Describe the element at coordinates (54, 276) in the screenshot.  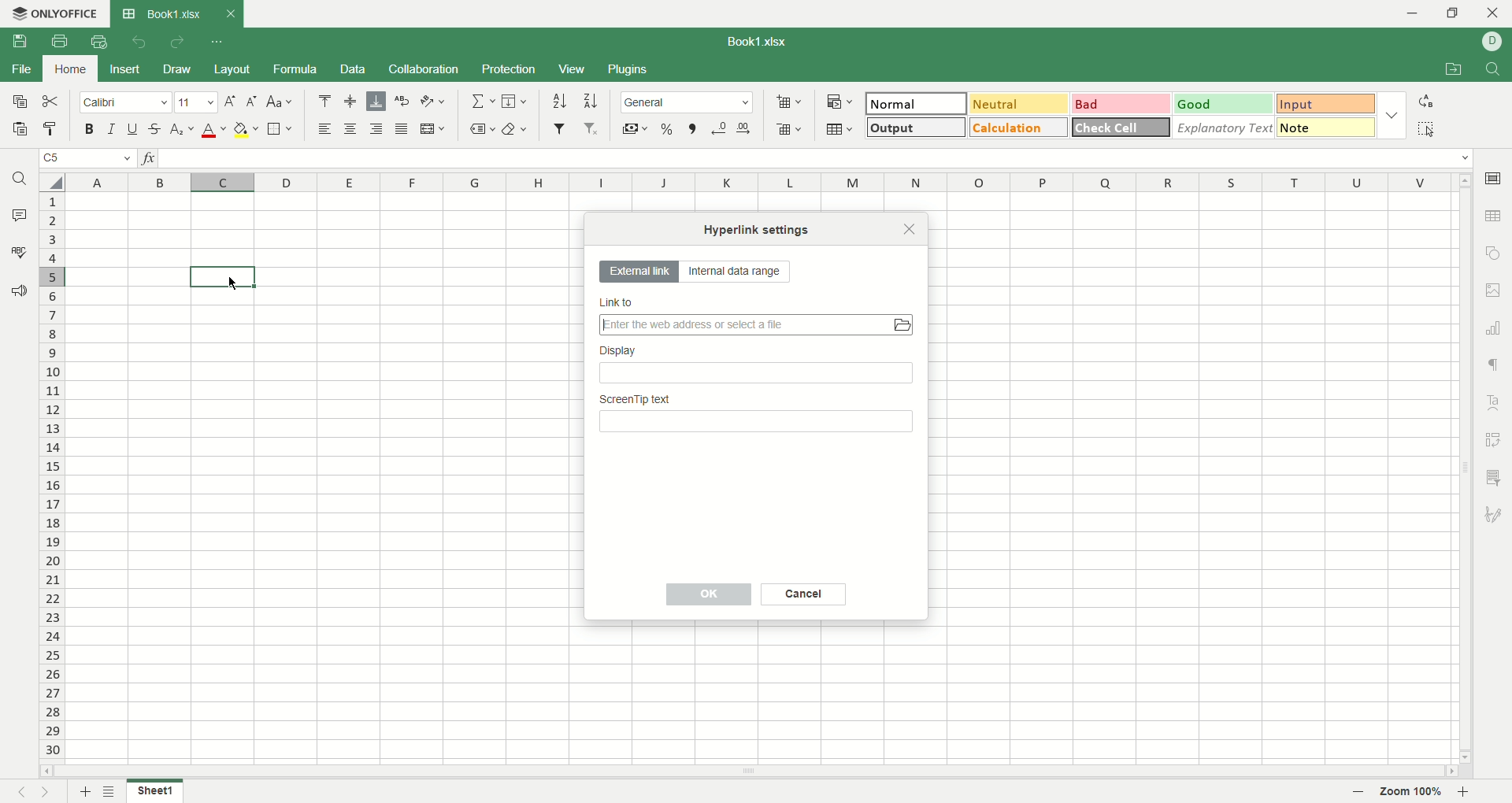
I see `selected row` at that location.